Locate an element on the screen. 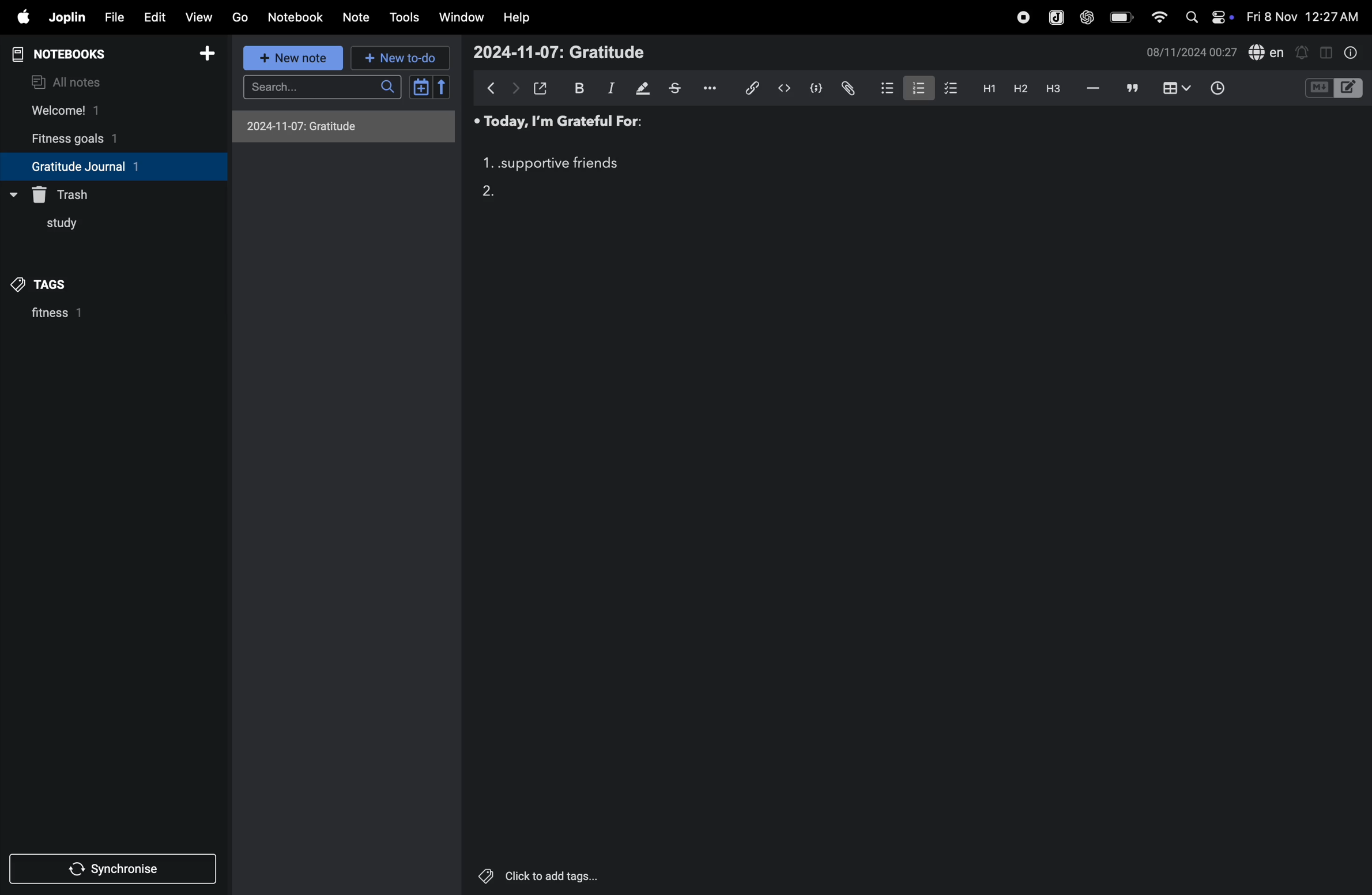 Image resolution: width=1372 pixels, height=895 pixels. numbered list is located at coordinates (914, 88).